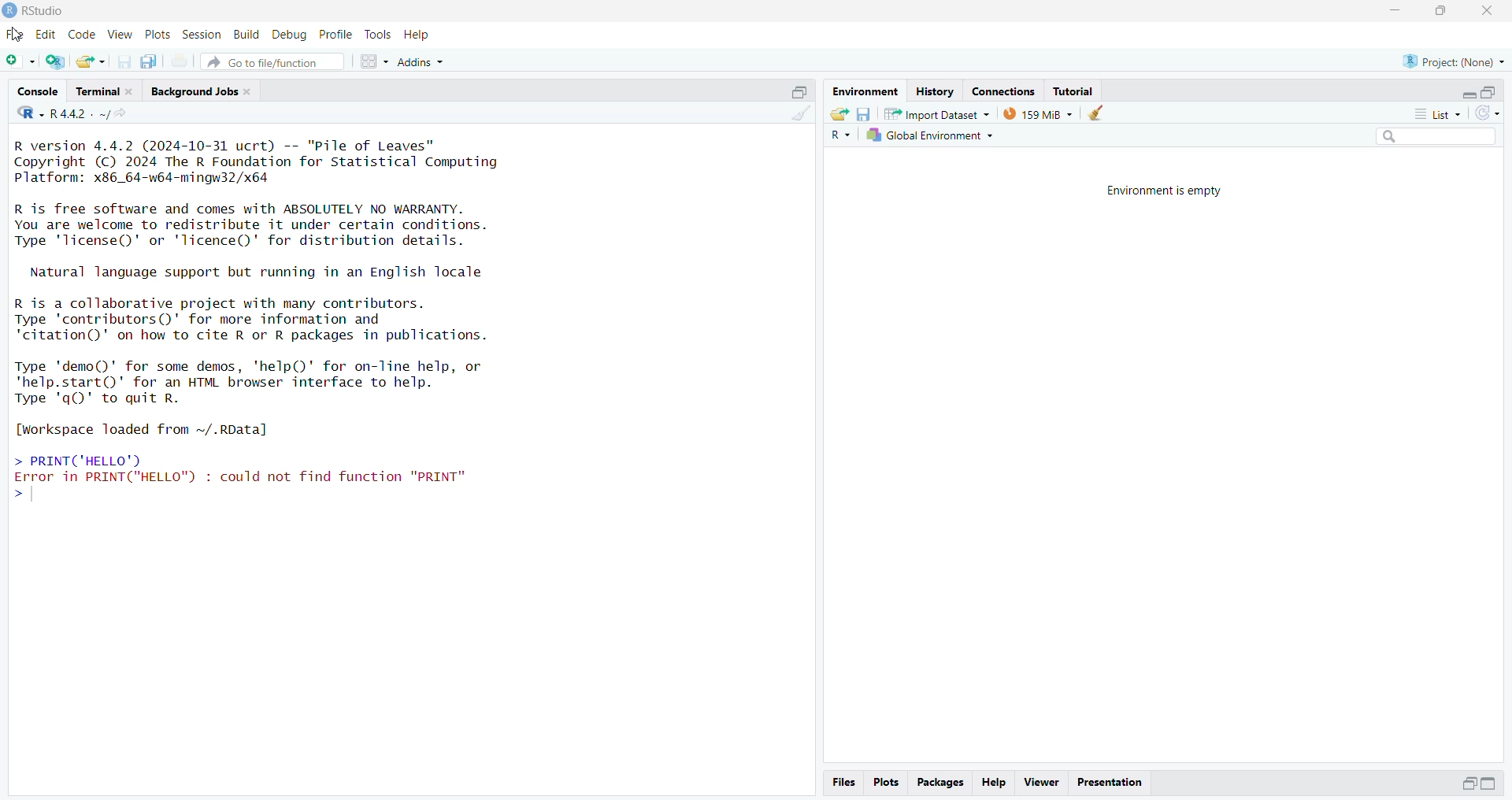 The height and width of the screenshot is (800, 1512). I want to click on help, so click(418, 35).